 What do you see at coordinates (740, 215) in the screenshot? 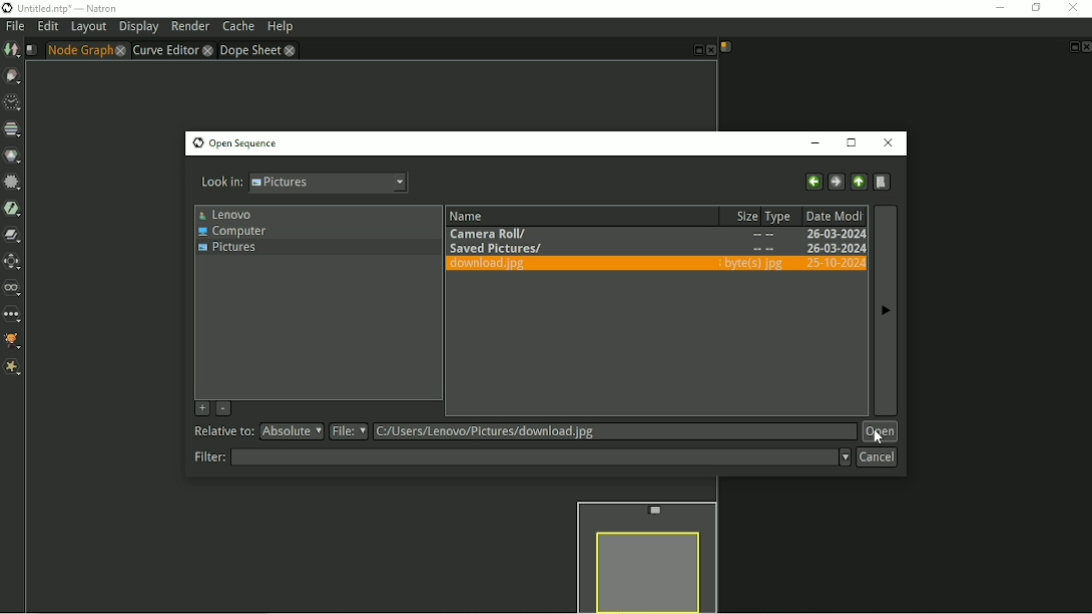
I see `Size` at bounding box center [740, 215].